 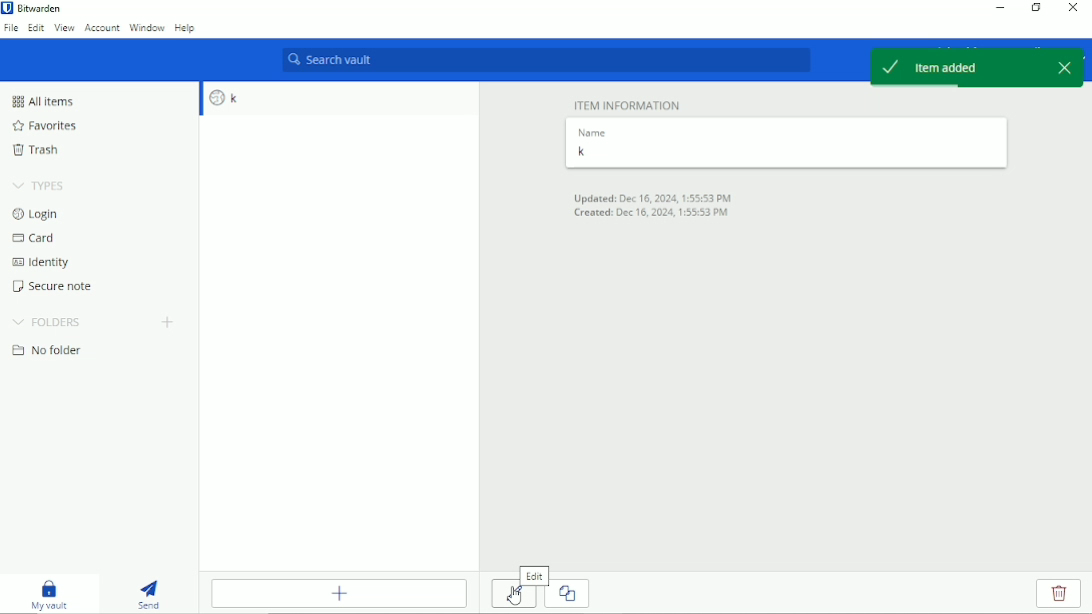 What do you see at coordinates (1036, 9) in the screenshot?
I see `Restore down` at bounding box center [1036, 9].